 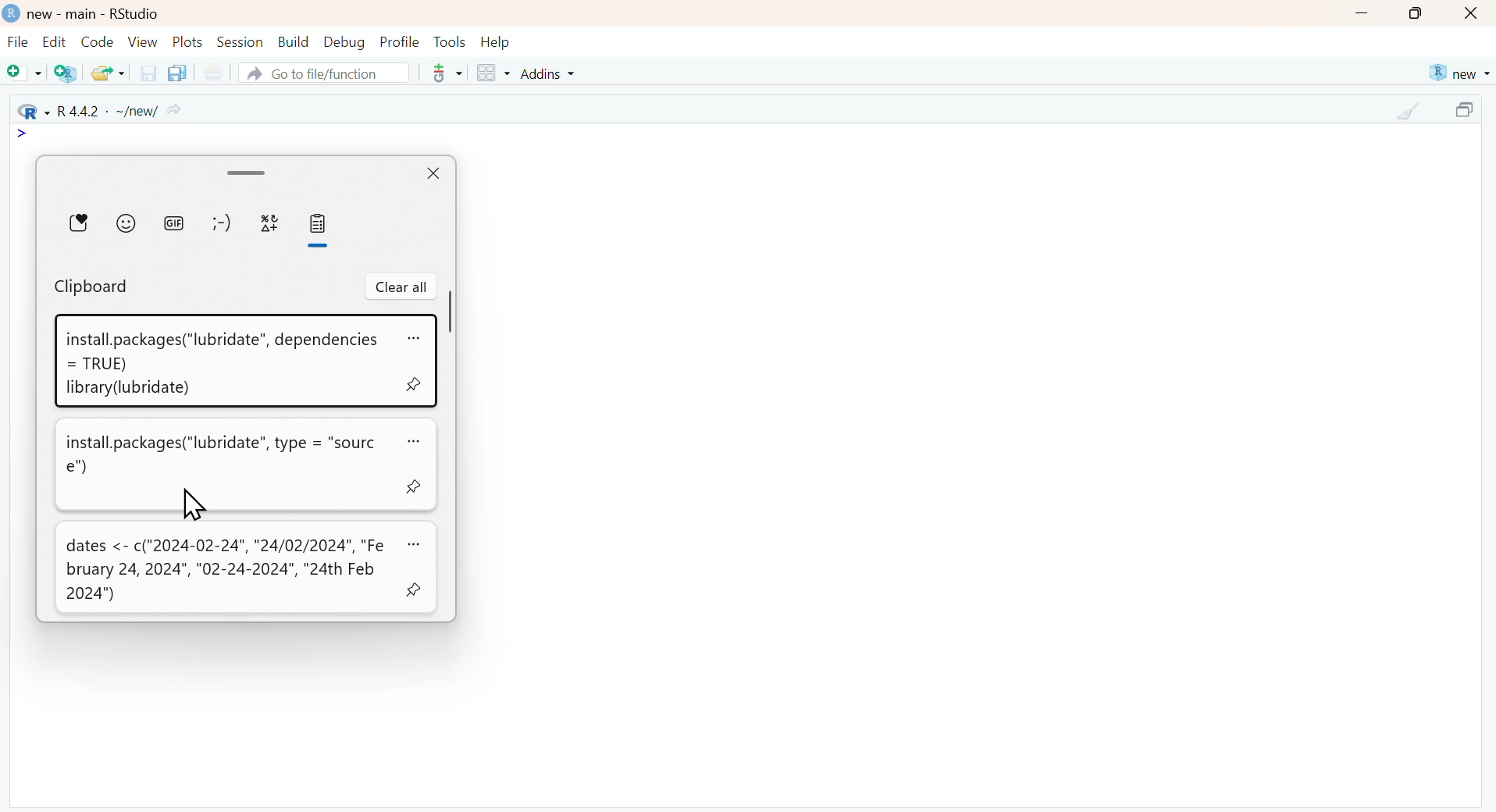 What do you see at coordinates (54, 41) in the screenshot?
I see `Edit` at bounding box center [54, 41].